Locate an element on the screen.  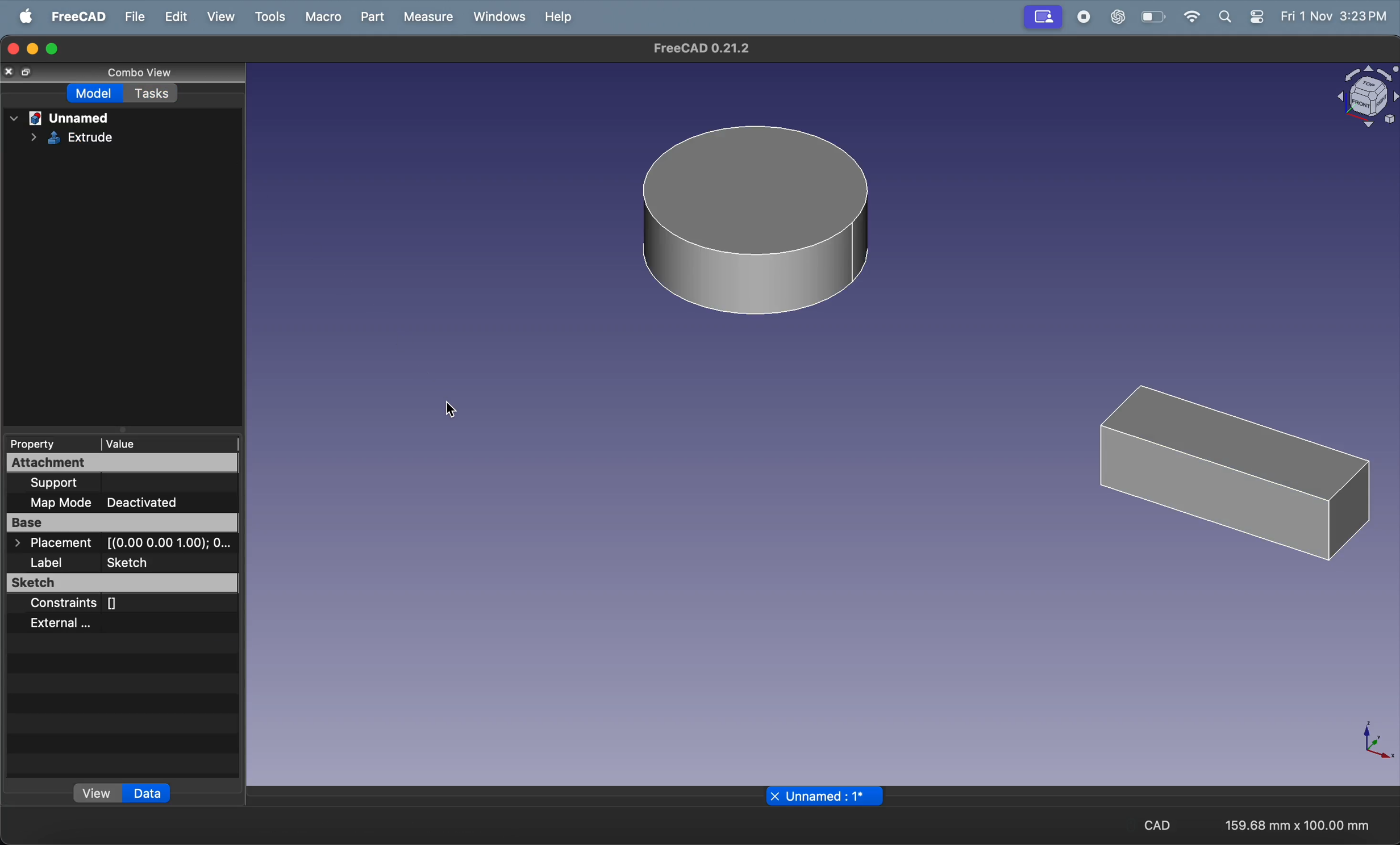
object view is located at coordinates (1366, 95).